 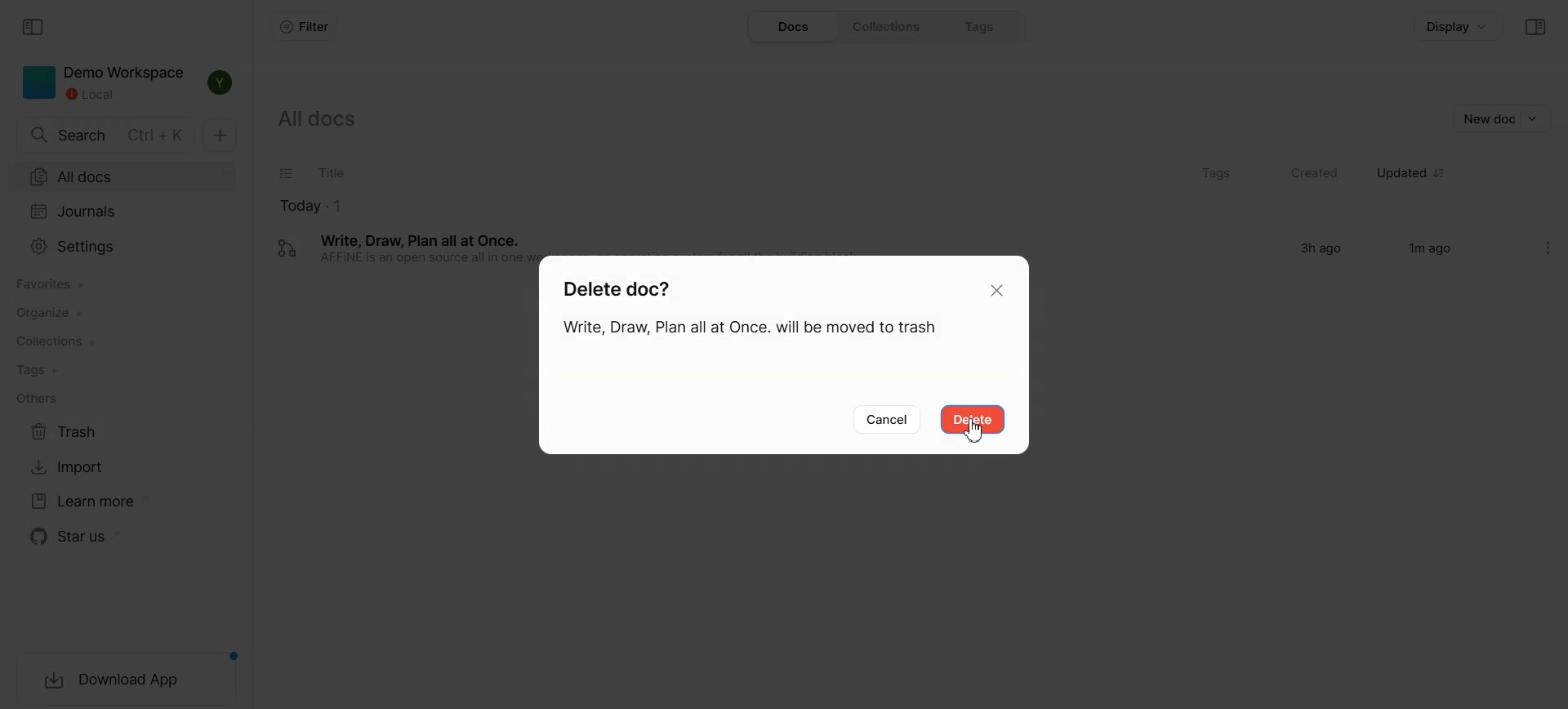 I want to click on Cancel, so click(x=888, y=421).